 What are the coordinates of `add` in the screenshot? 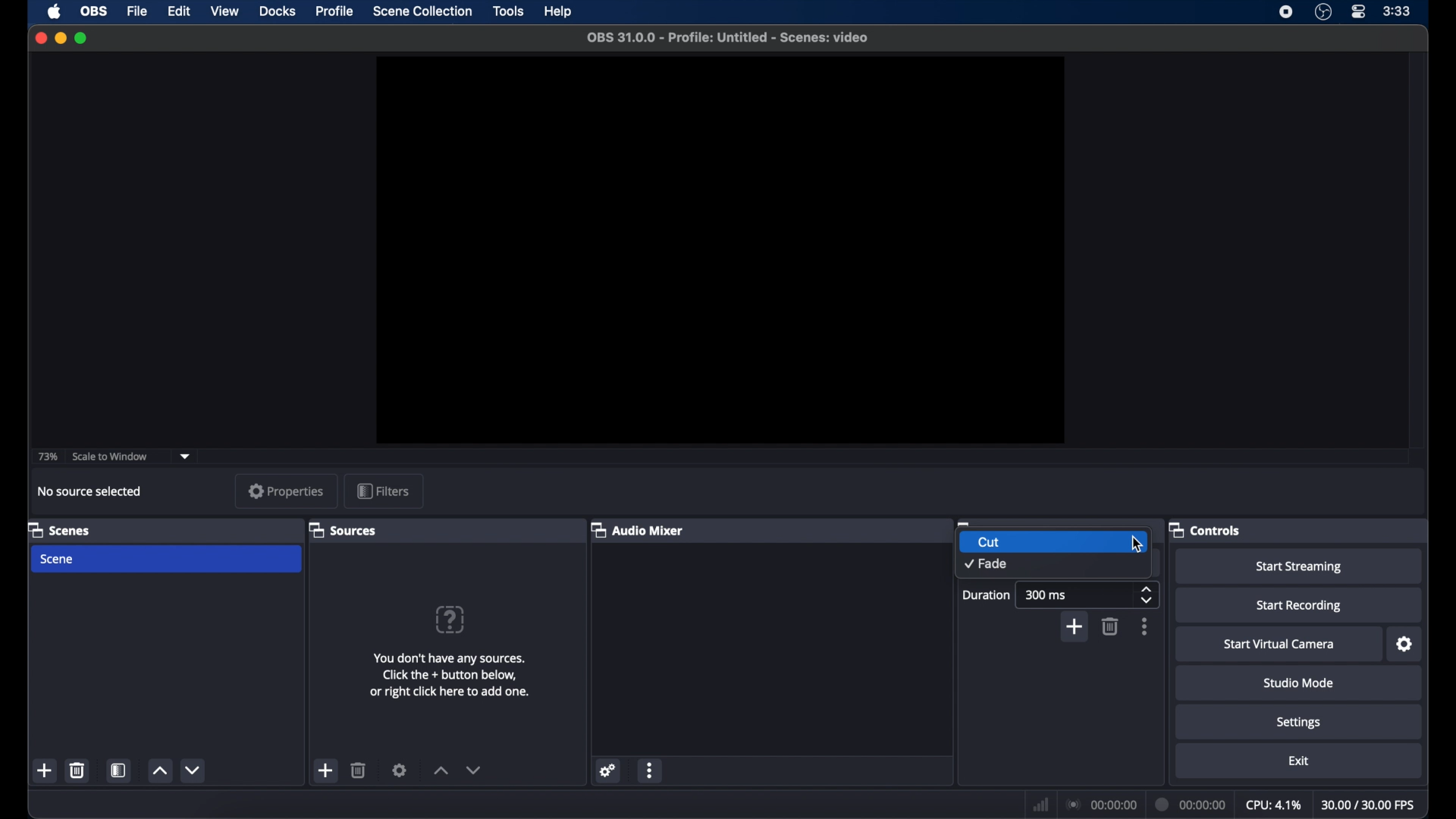 It's located at (1074, 626).